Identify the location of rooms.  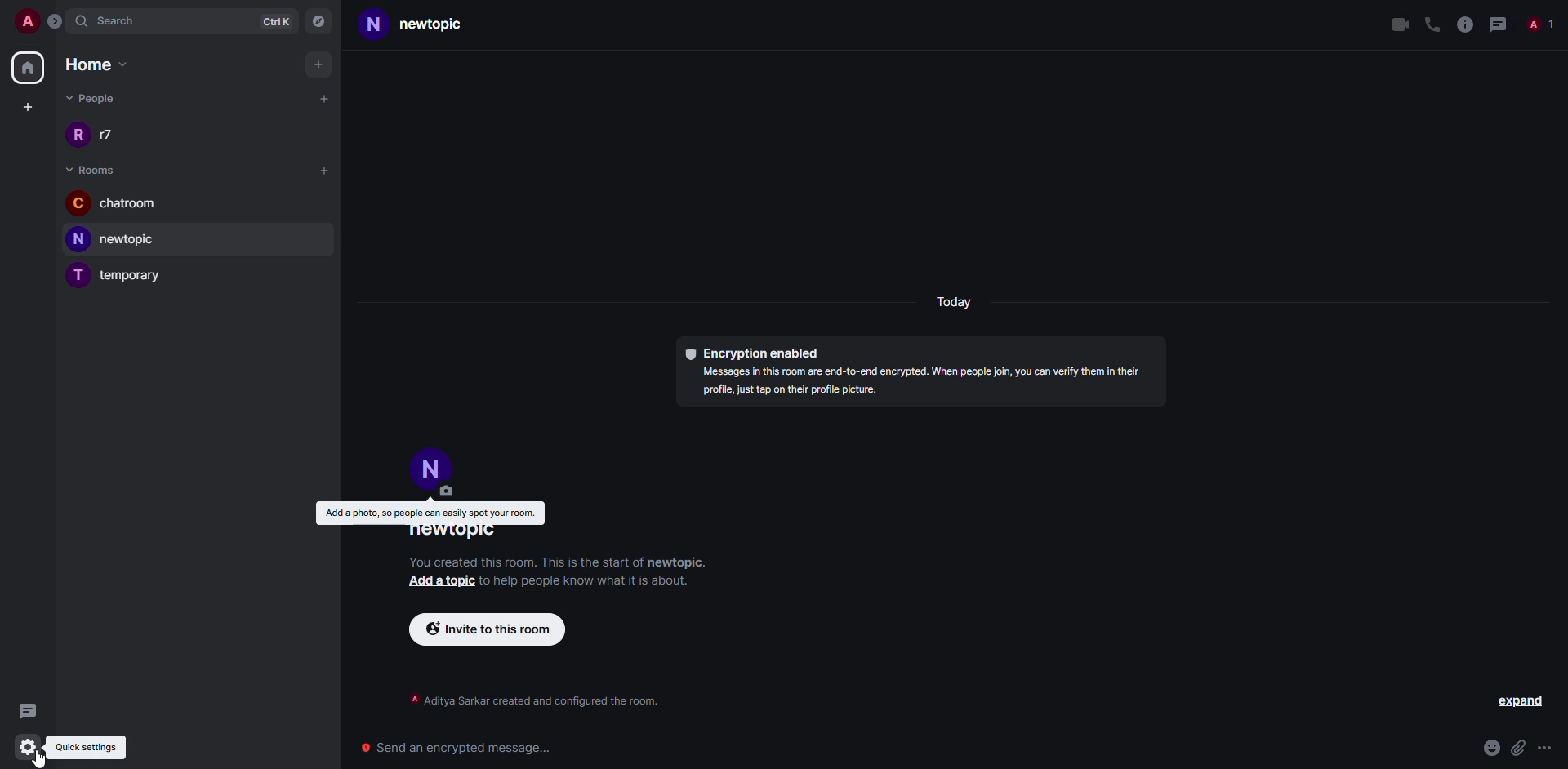
(104, 171).